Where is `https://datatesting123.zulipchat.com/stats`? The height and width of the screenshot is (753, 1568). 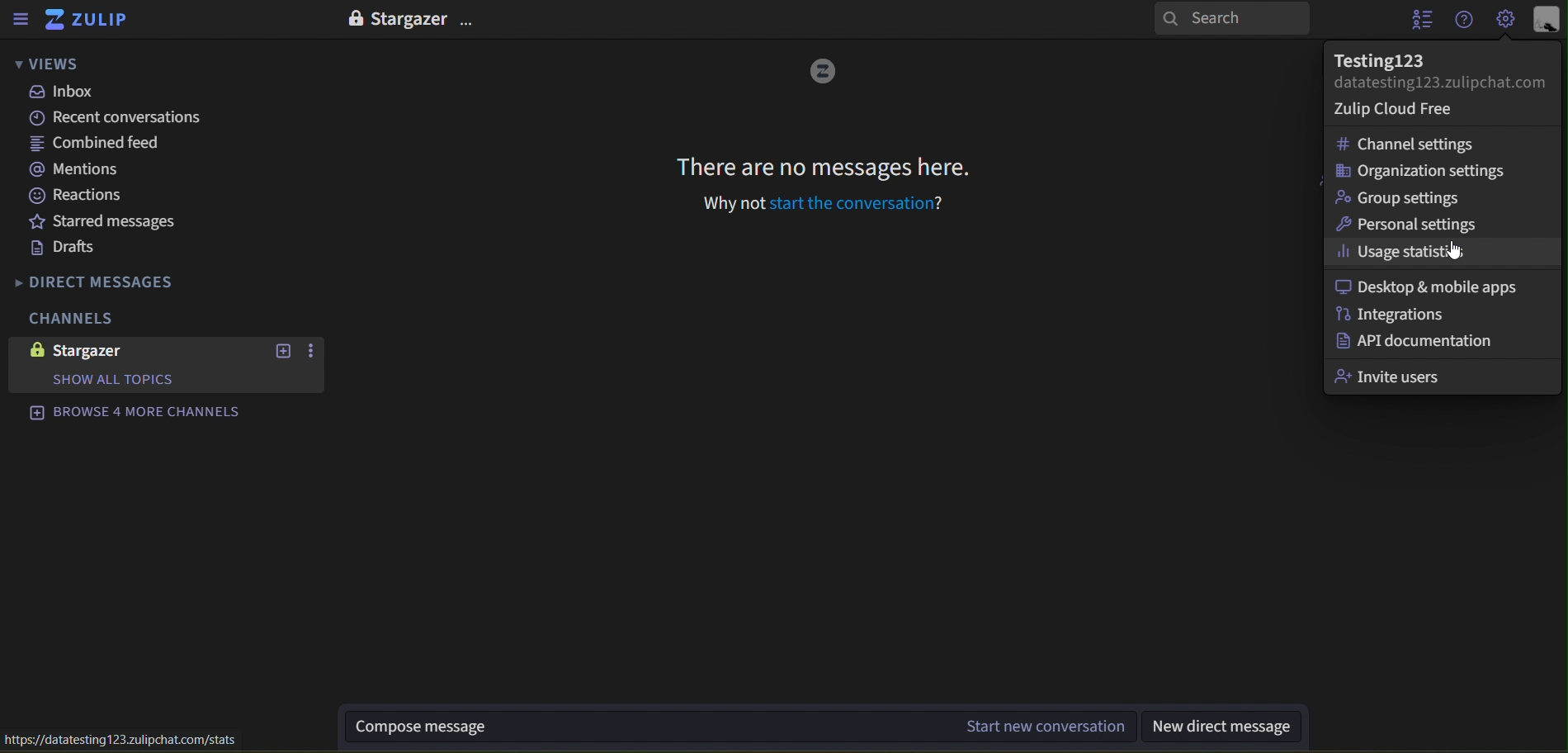
https://datatesting123.zulipchat.com/stats is located at coordinates (132, 741).